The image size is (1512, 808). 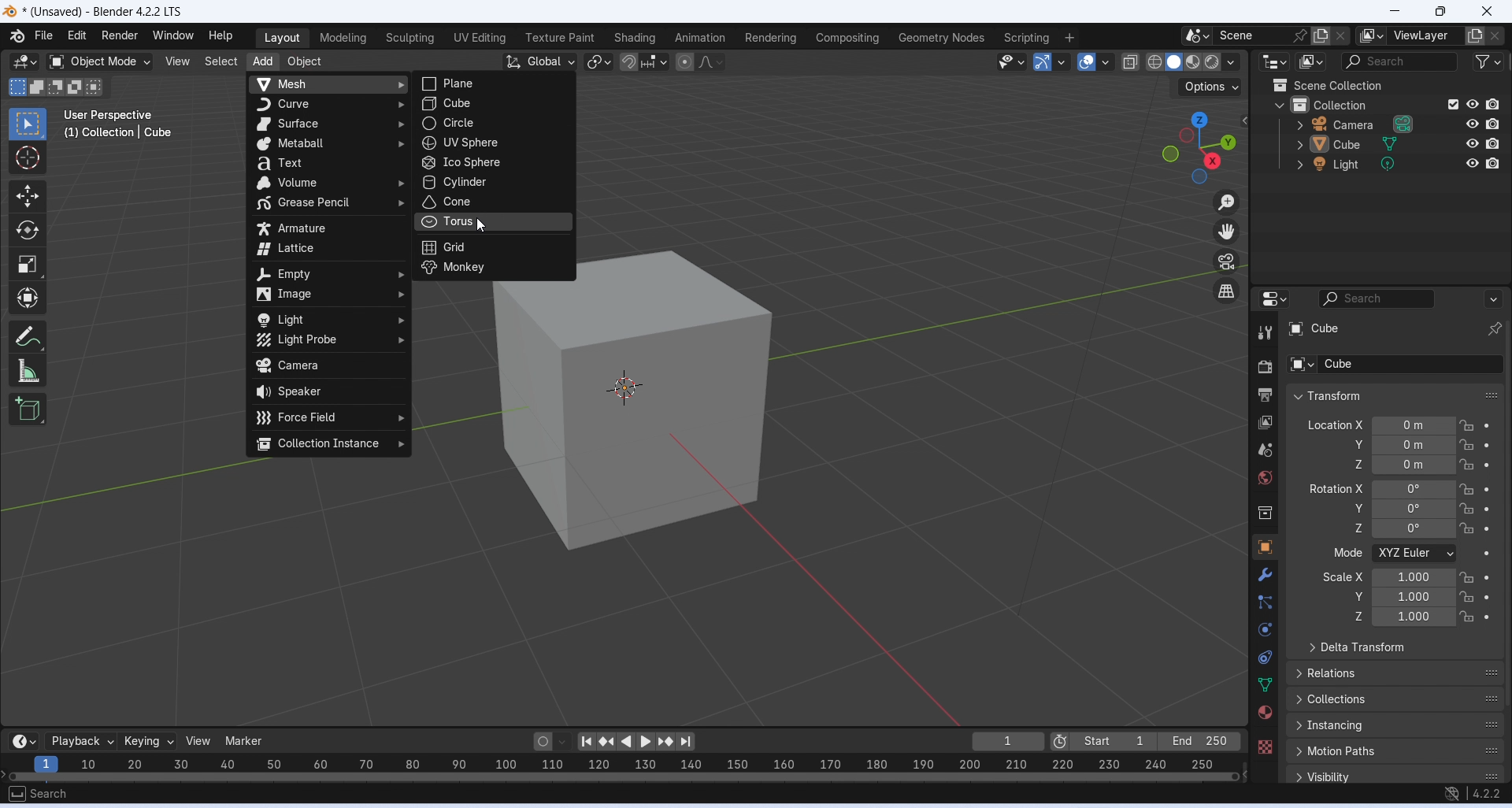 I want to click on light probe, so click(x=328, y=340).